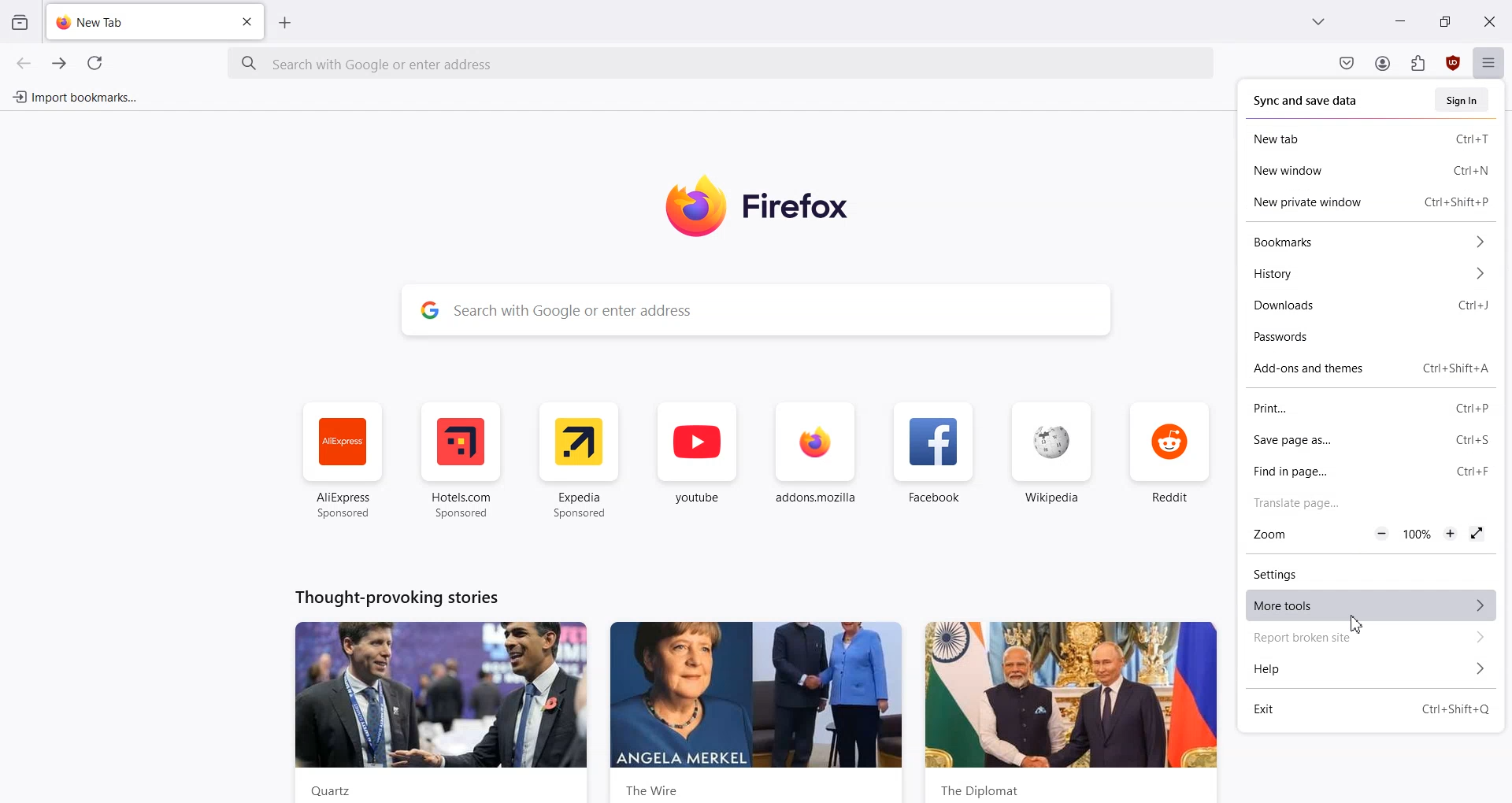  Describe the element at coordinates (442, 712) in the screenshot. I see `News` at that location.